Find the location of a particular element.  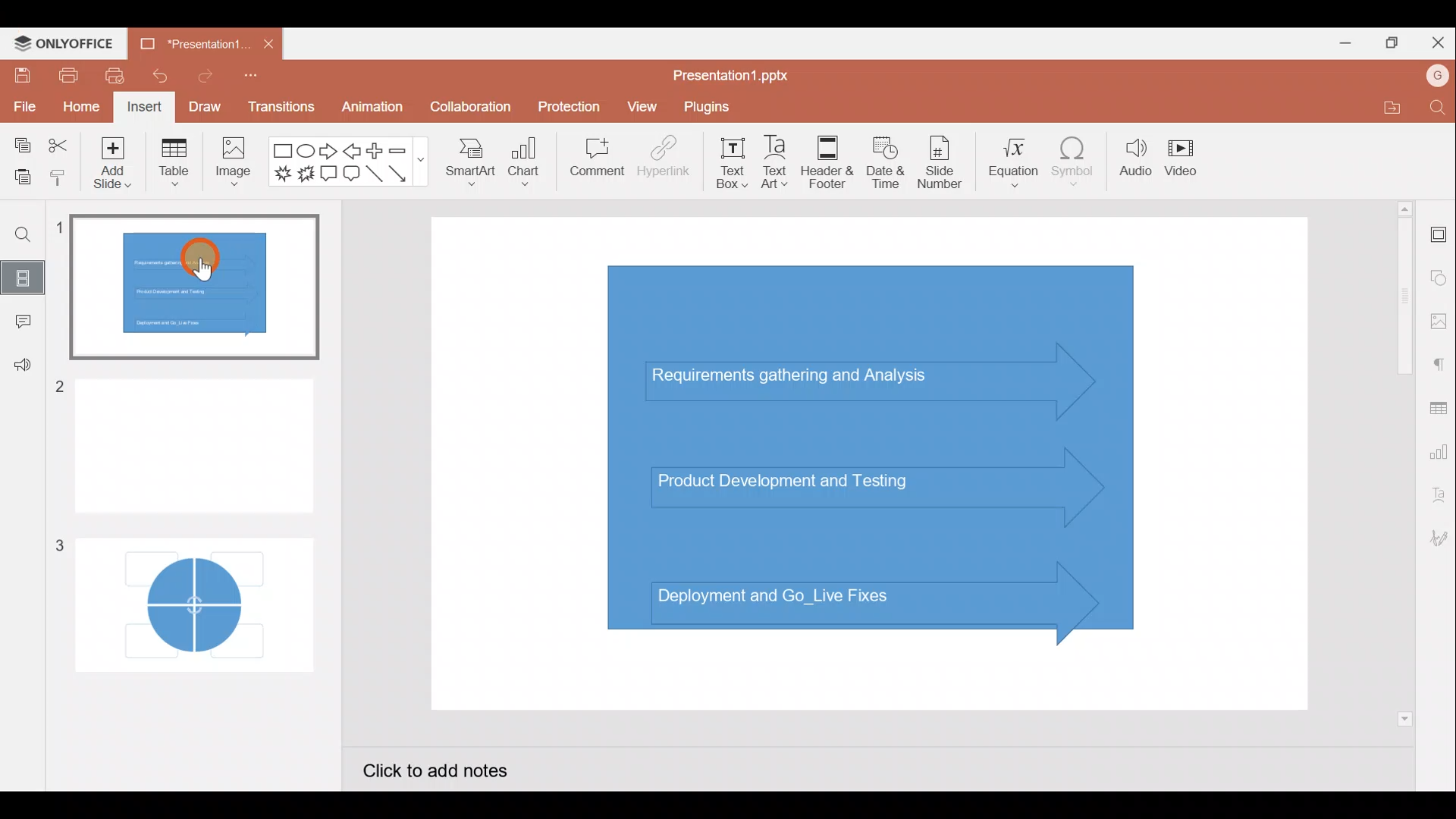

SmartArt is located at coordinates (470, 168).